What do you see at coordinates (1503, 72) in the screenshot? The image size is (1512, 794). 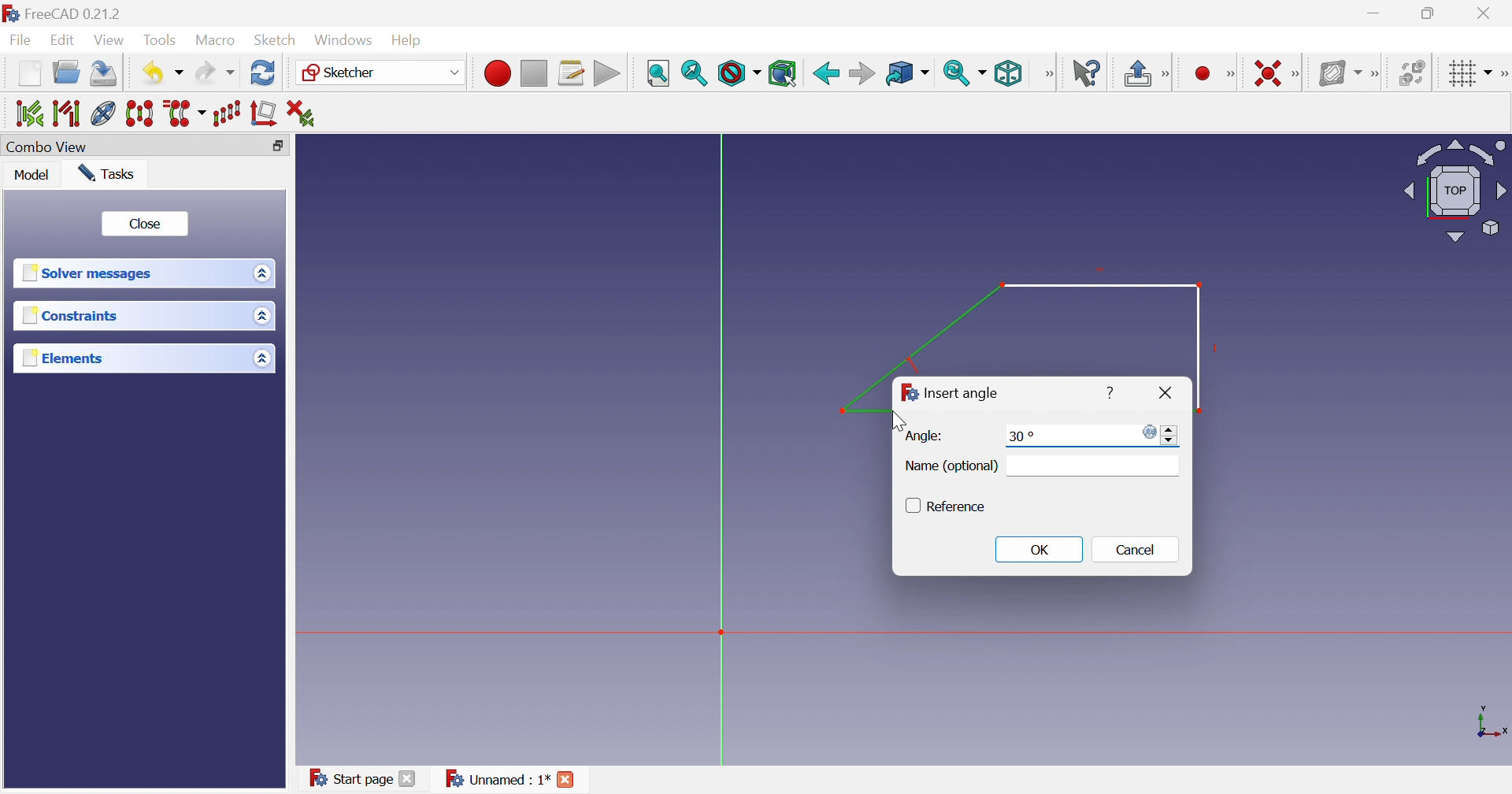 I see `More` at bounding box center [1503, 72].